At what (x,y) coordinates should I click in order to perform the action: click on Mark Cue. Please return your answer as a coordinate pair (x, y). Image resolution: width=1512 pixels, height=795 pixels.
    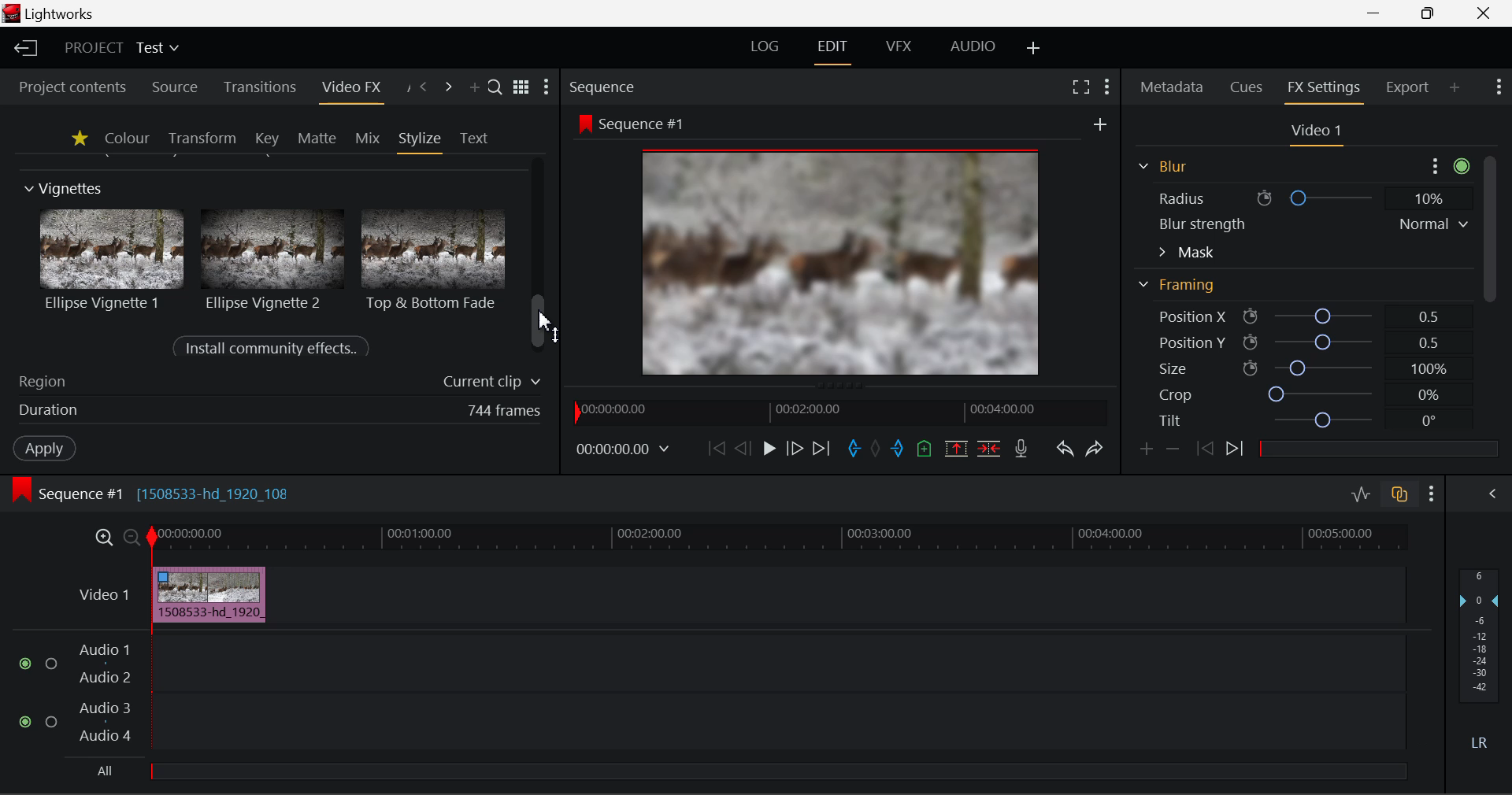
    Looking at the image, I should click on (925, 448).